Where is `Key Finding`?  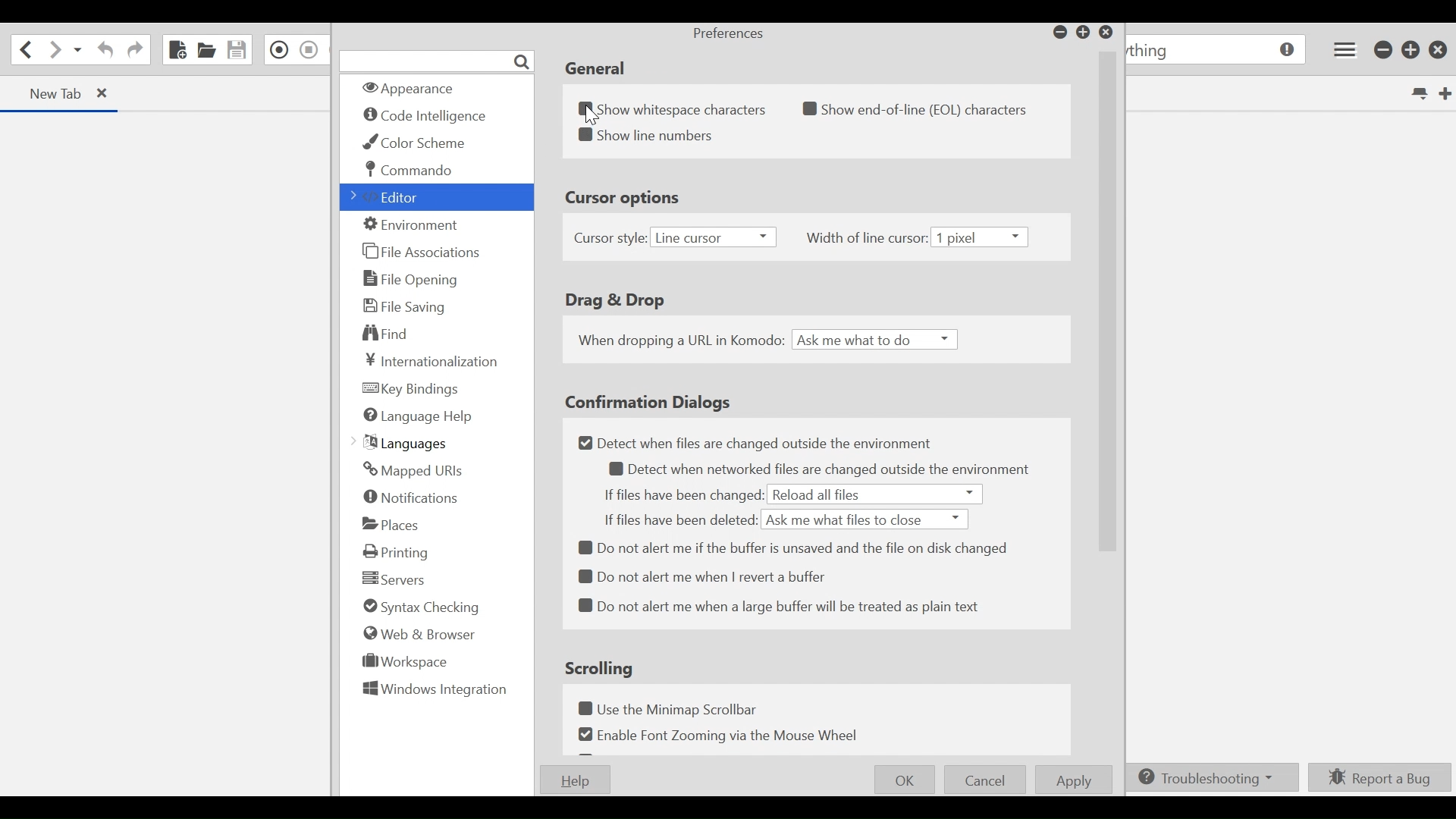
Key Finding is located at coordinates (415, 389).